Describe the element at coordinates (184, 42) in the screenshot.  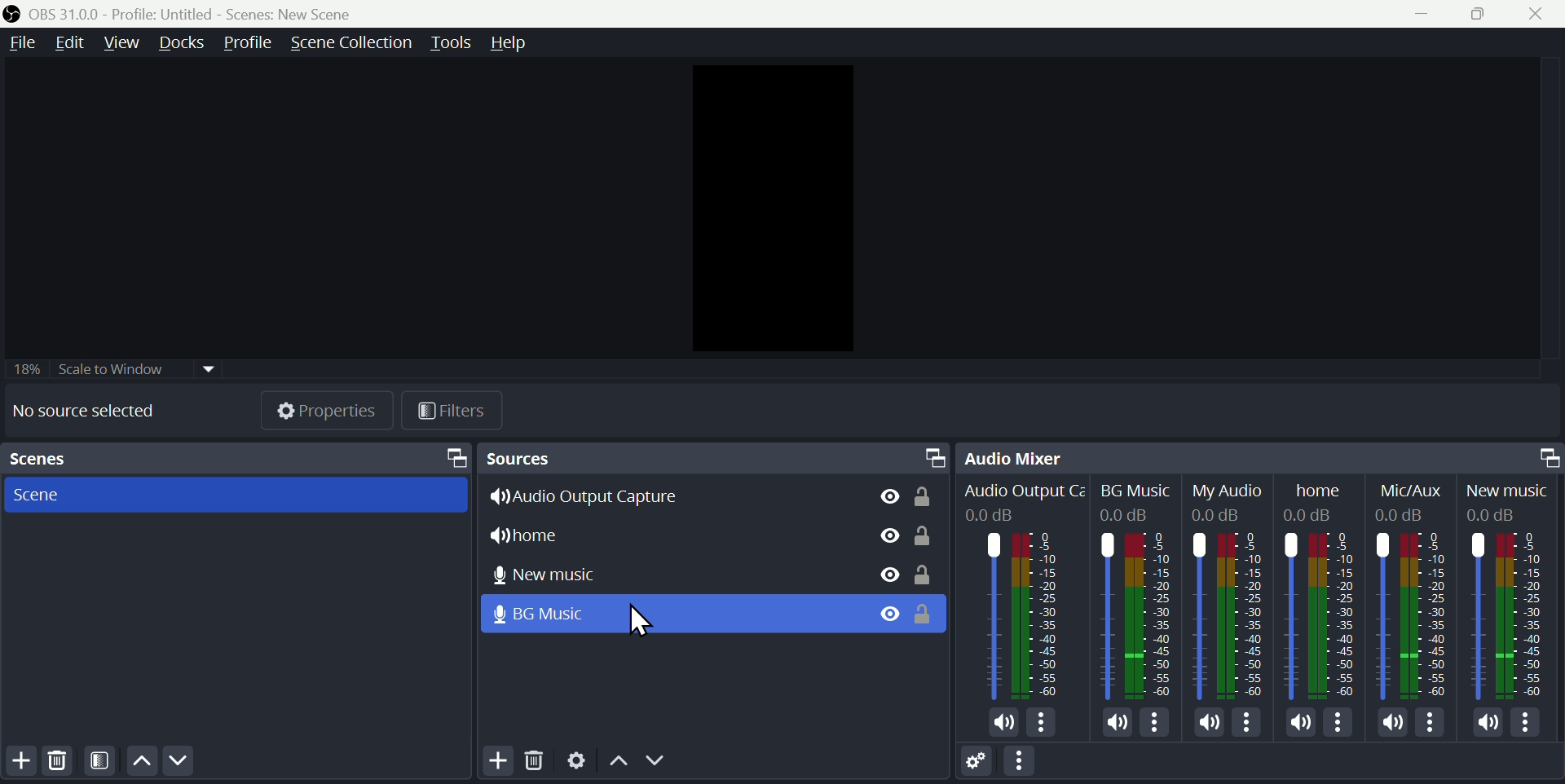
I see `Docks` at that location.